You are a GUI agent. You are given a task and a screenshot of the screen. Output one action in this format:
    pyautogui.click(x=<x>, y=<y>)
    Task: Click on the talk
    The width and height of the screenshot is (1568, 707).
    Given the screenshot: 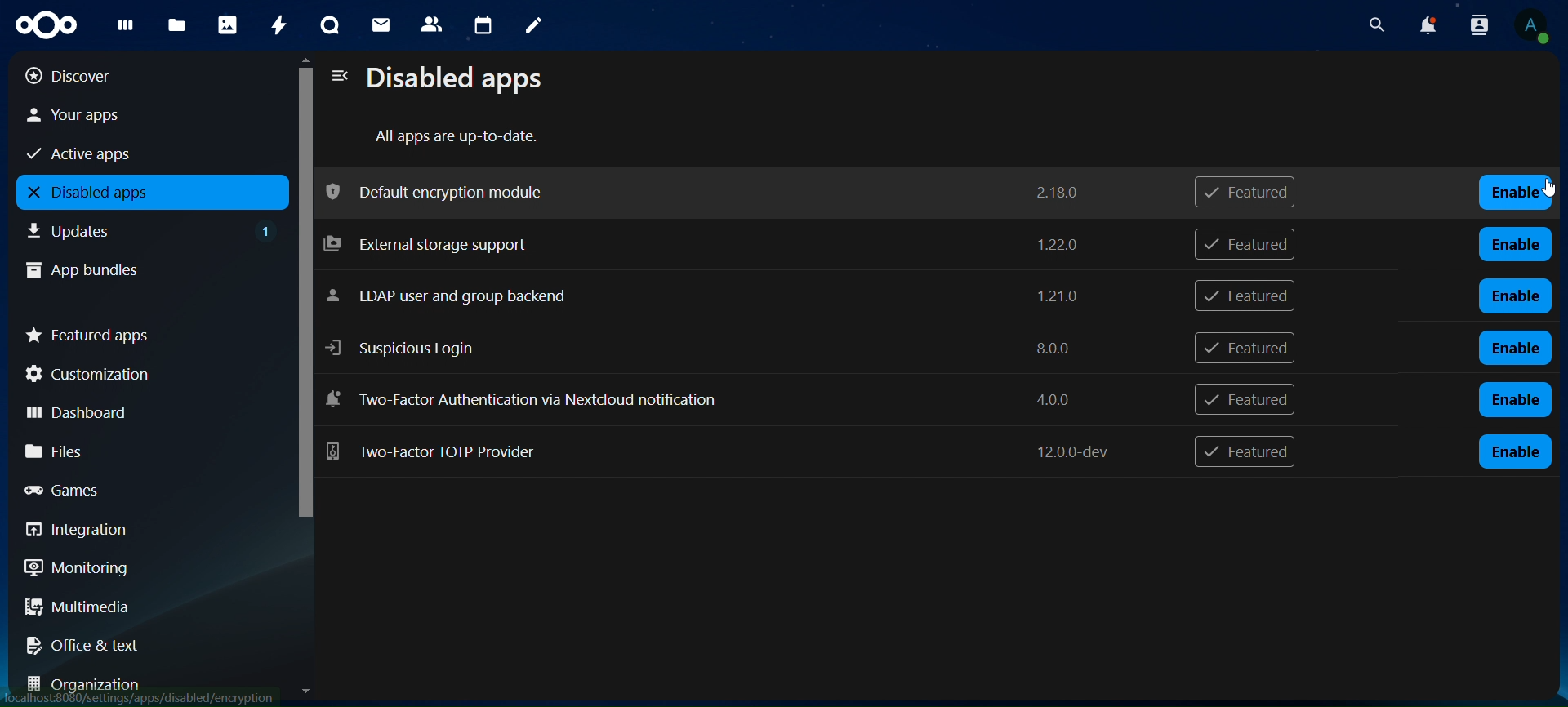 What is the action you would take?
    pyautogui.click(x=327, y=26)
    